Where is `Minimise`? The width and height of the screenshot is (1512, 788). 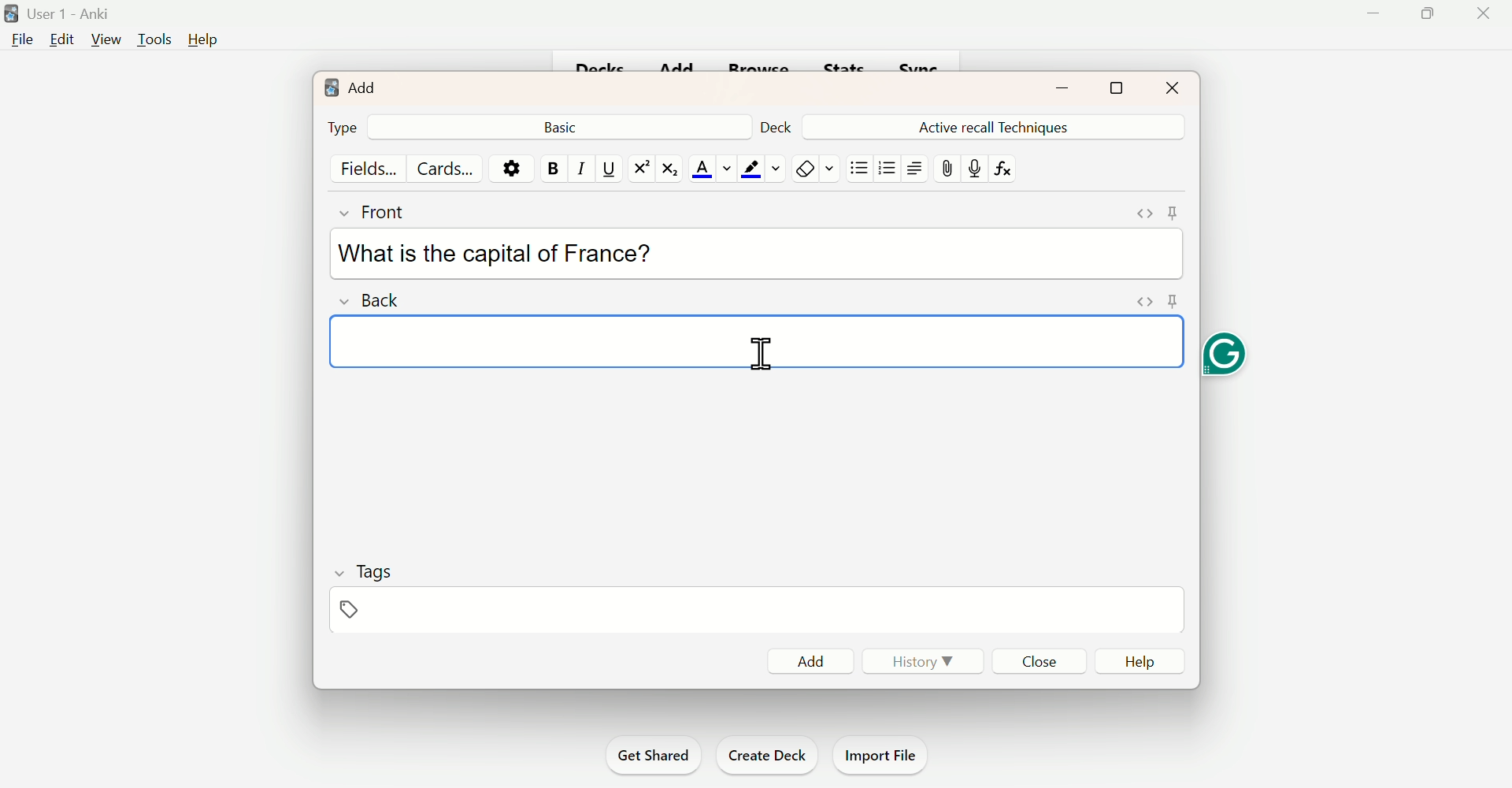
Minimise is located at coordinates (1373, 15).